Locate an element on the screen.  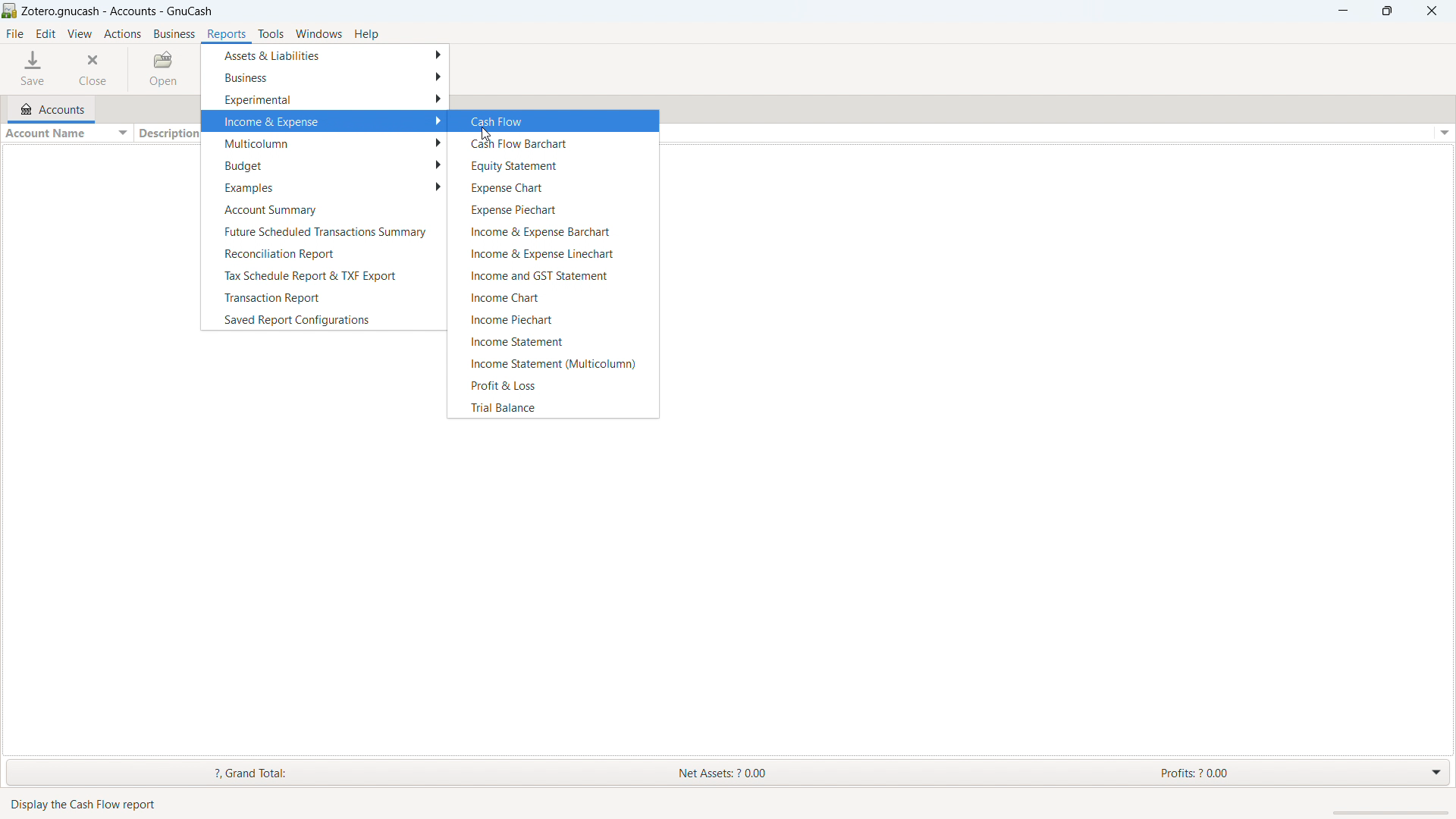
tools is located at coordinates (271, 34).